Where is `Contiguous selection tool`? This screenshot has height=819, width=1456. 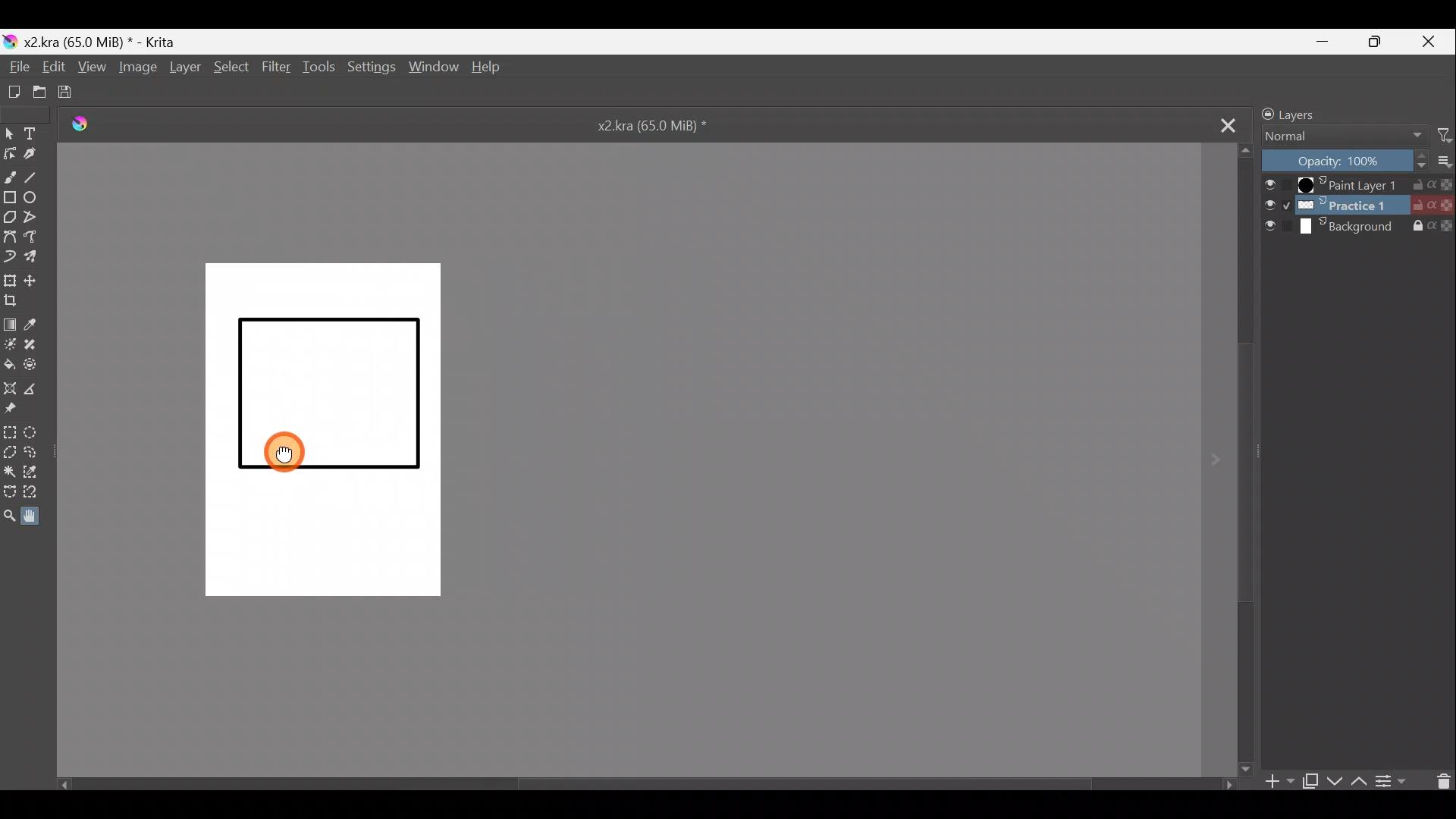 Contiguous selection tool is located at coordinates (10, 472).